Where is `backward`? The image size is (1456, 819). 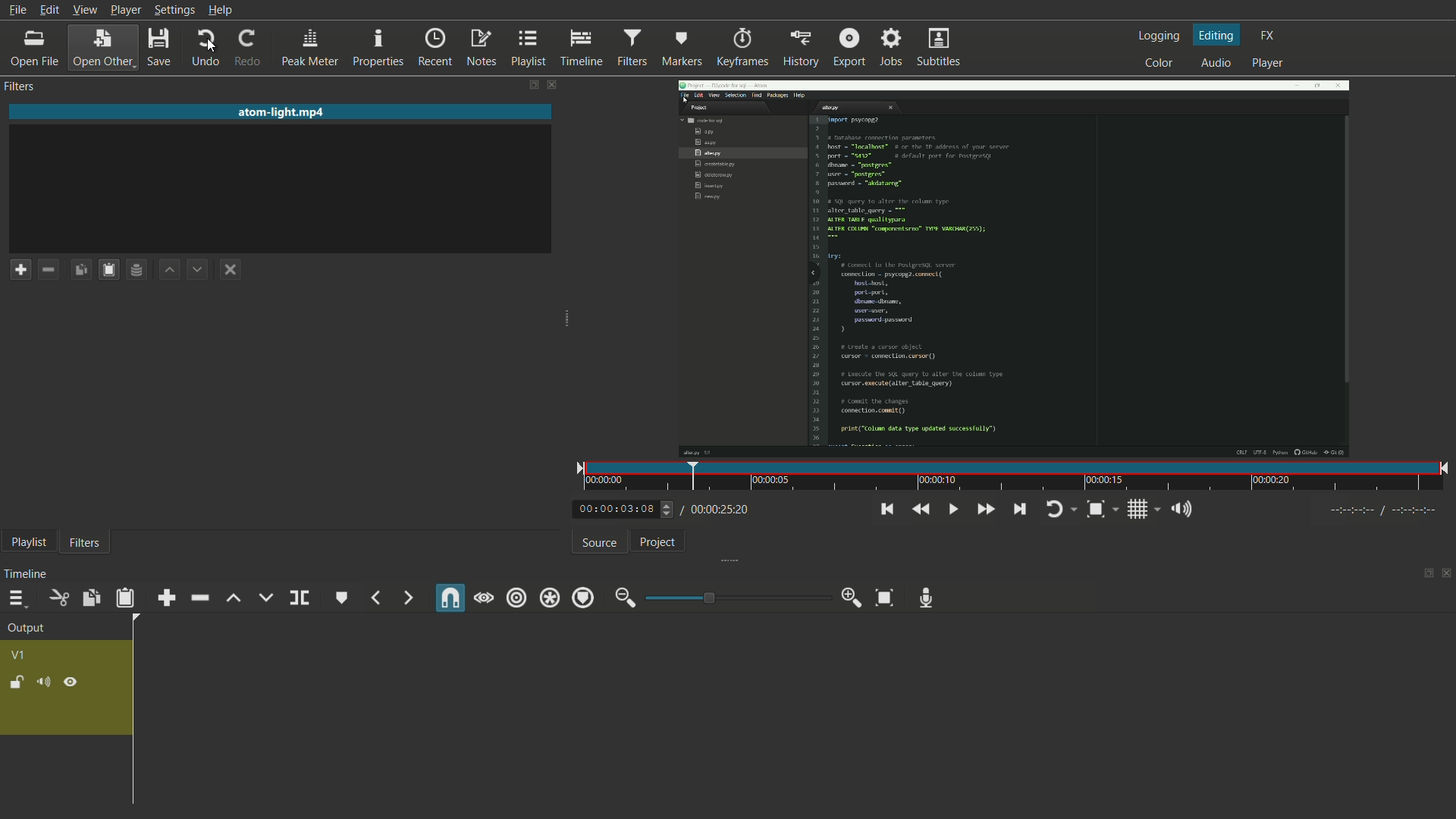
backward is located at coordinates (167, 268).